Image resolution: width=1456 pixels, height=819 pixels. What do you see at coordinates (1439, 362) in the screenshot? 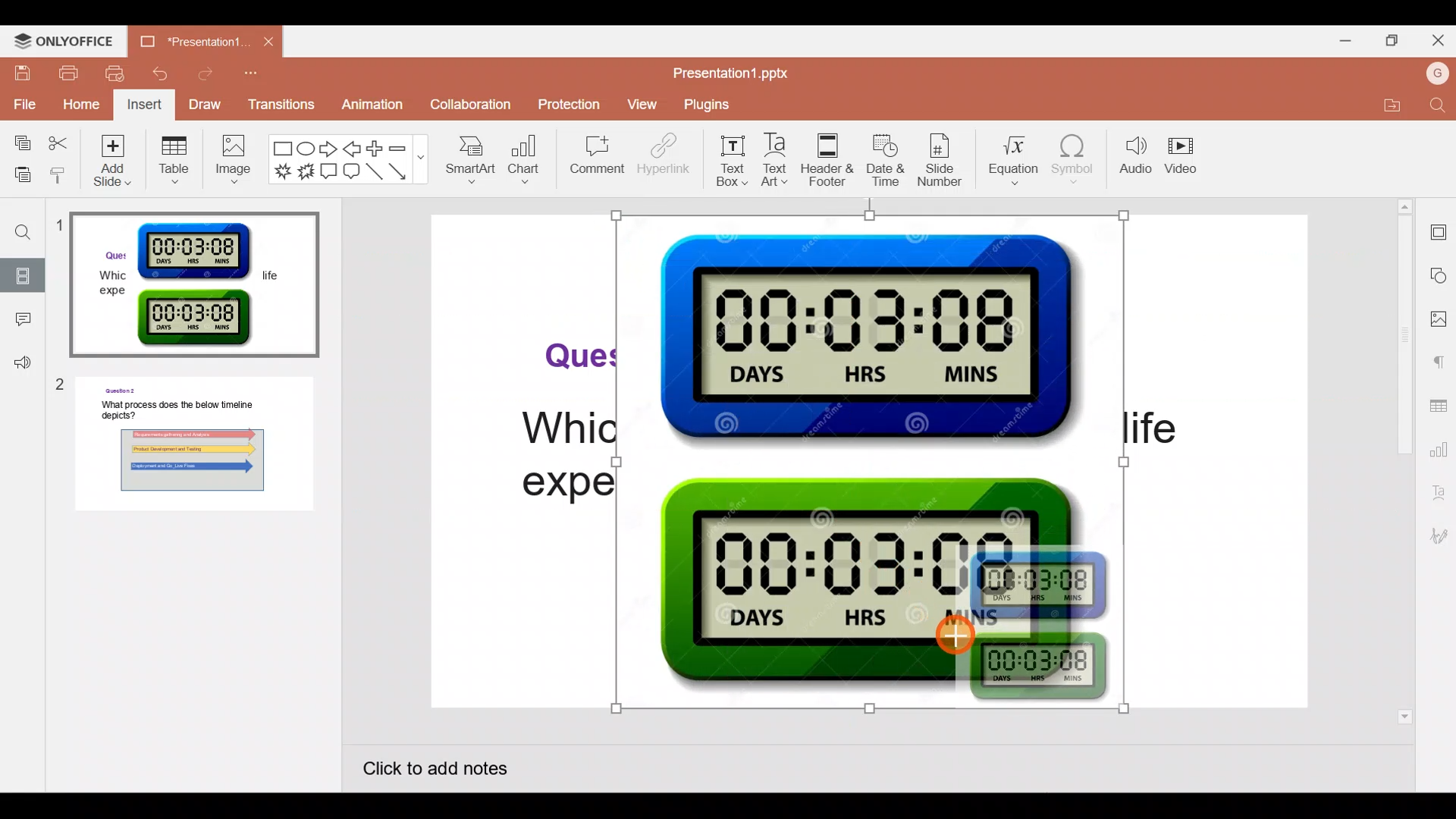
I see `Paragraph settings` at bounding box center [1439, 362].